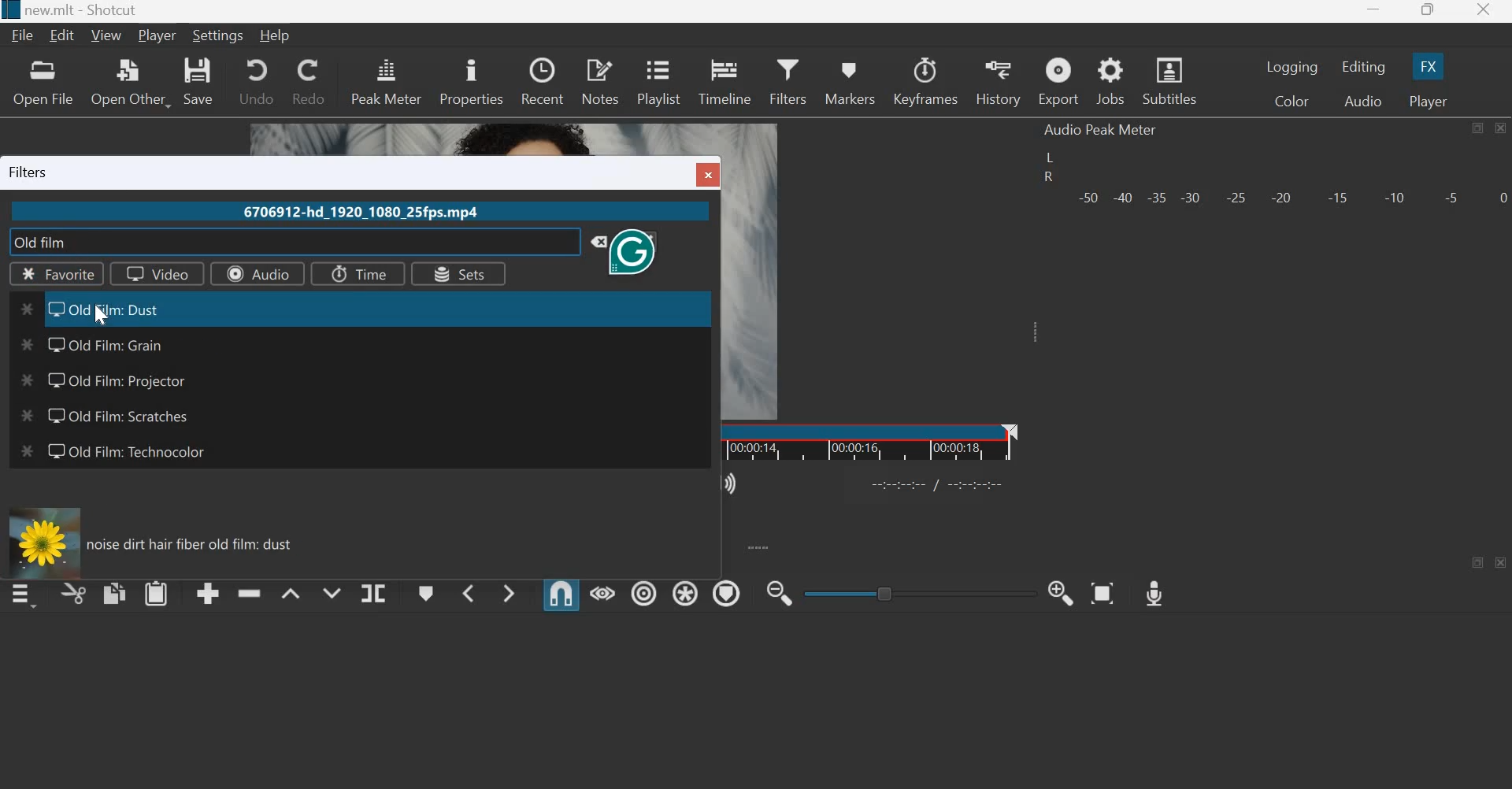 The width and height of the screenshot is (1512, 789). What do you see at coordinates (129, 82) in the screenshot?
I see `open other` at bounding box center [129, 82].